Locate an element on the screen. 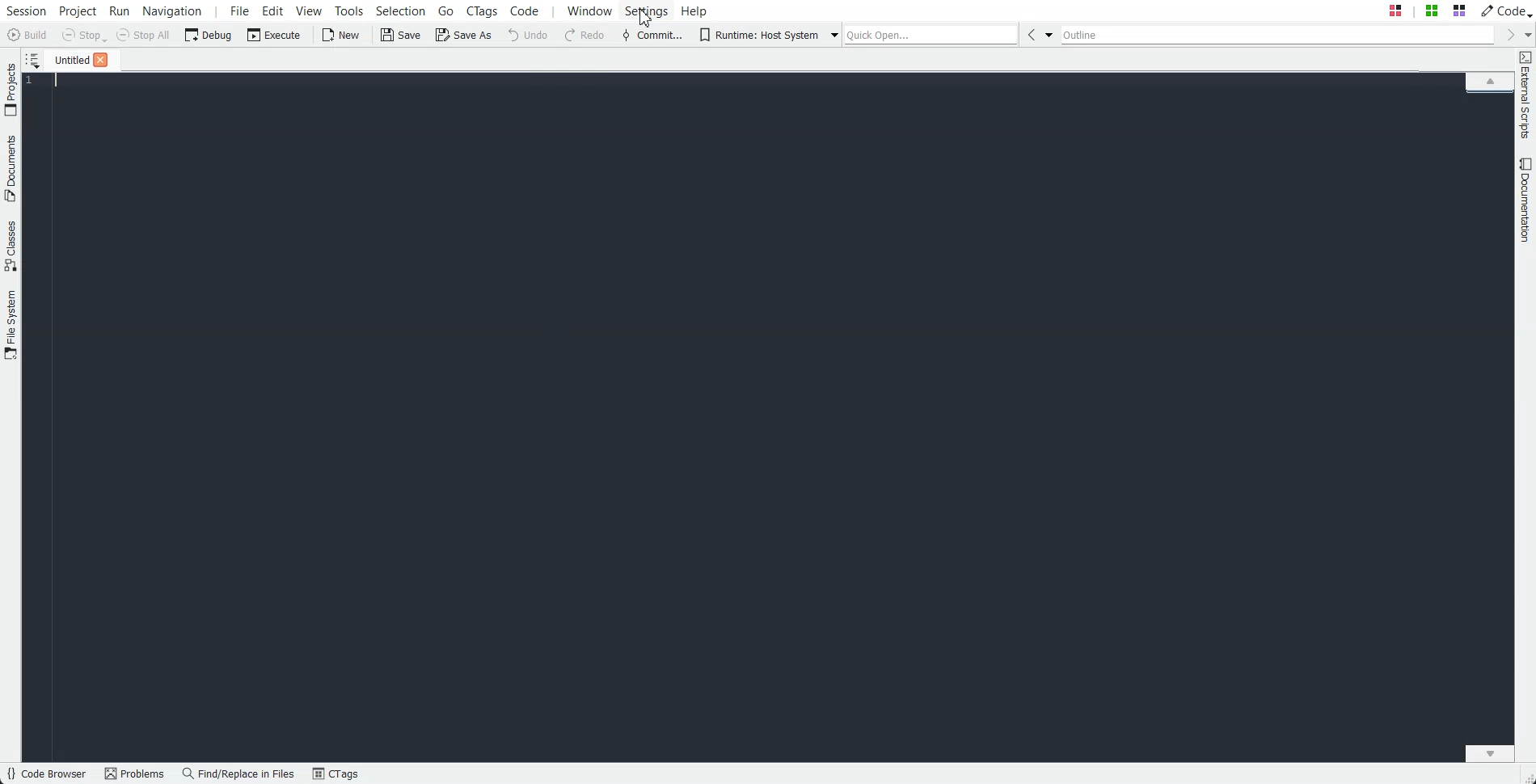 The image size is (1536, 784). Stop All is located at coordinates (144, 35).